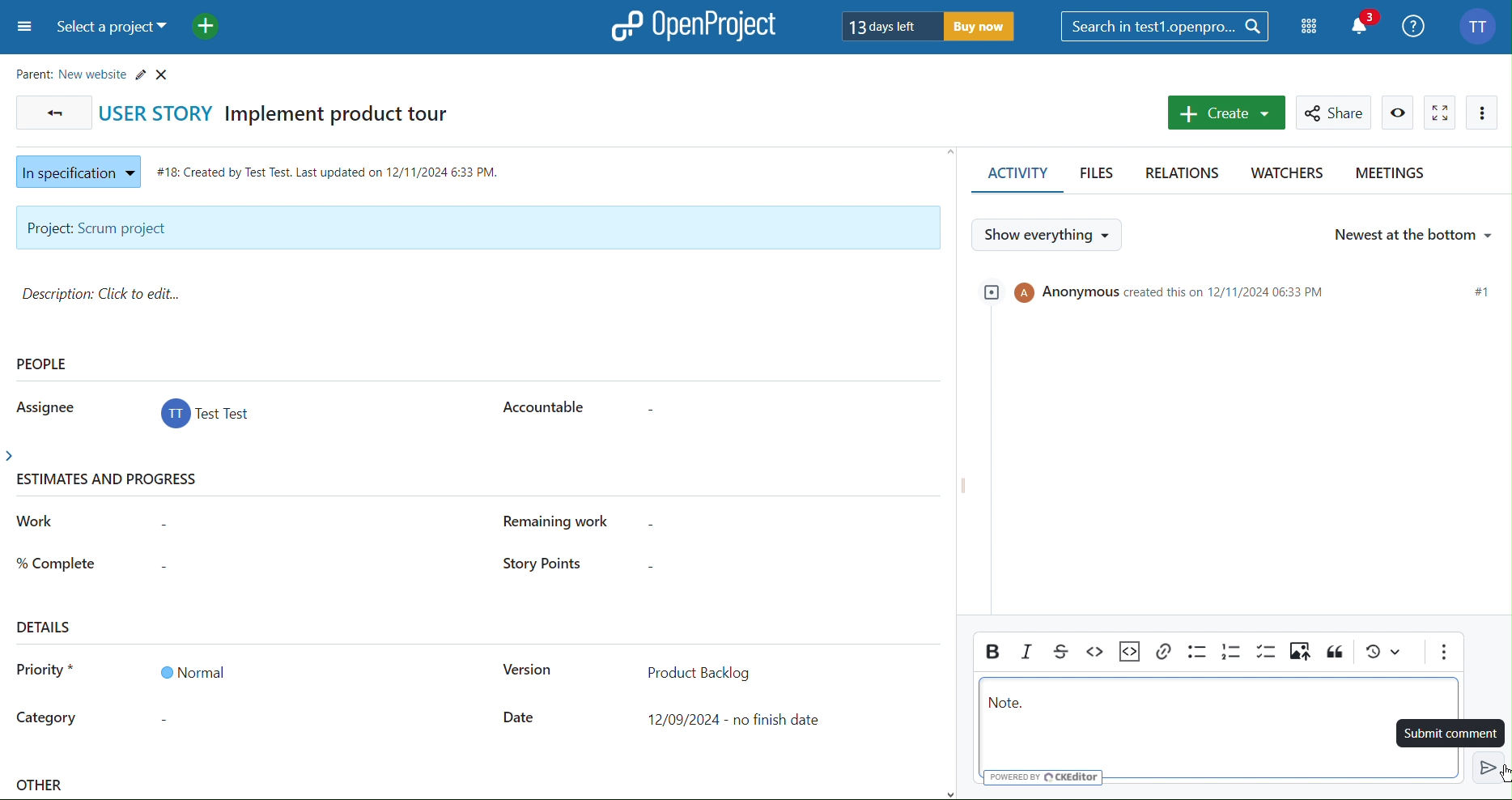  What do you see at coordinates (1225, 113) in the screenshot?
I see `Create` at bounding box center [1225, 113].